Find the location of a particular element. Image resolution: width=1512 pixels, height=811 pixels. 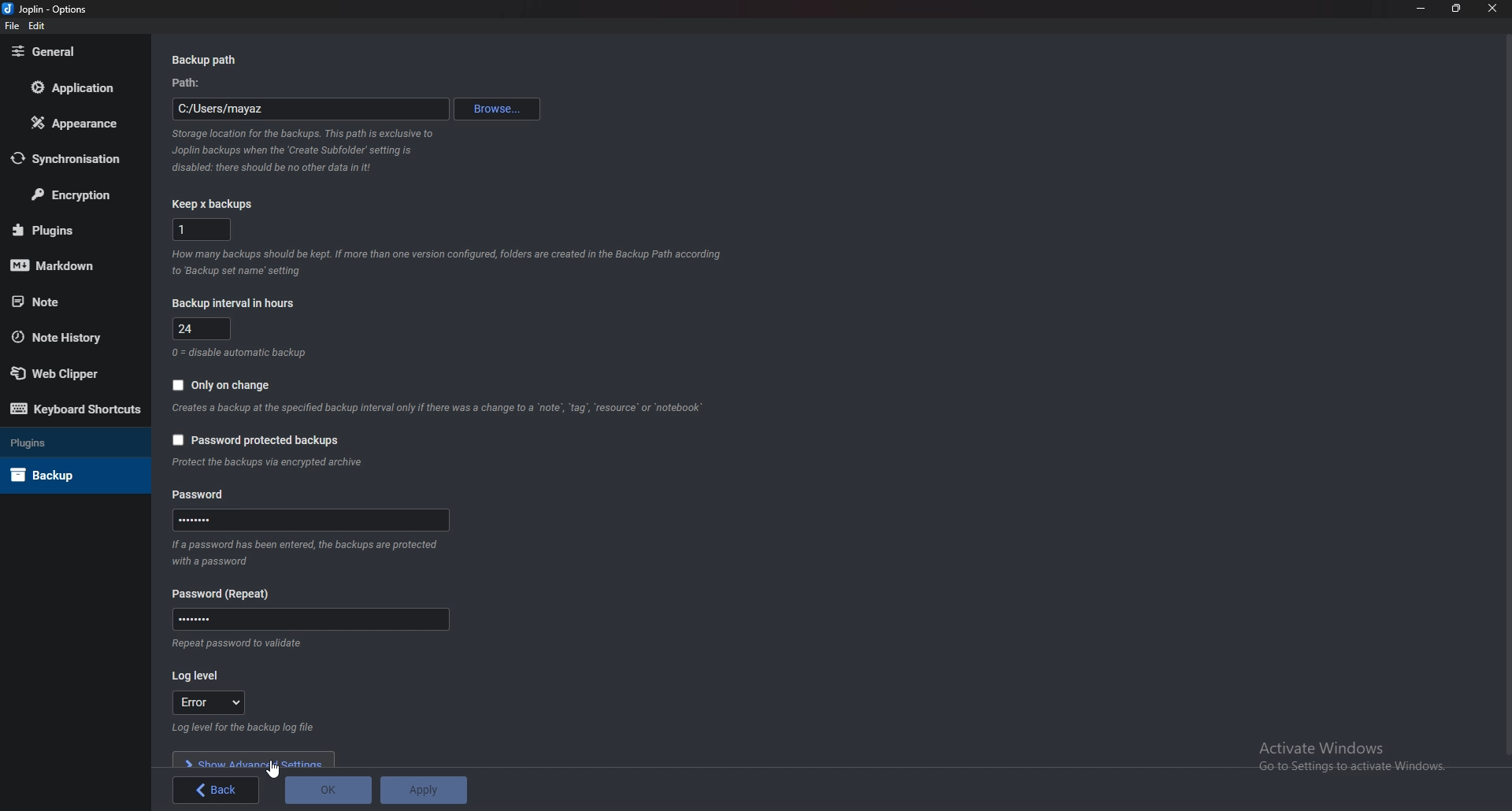

Show advanced settings is located at coordinates (254, 760).